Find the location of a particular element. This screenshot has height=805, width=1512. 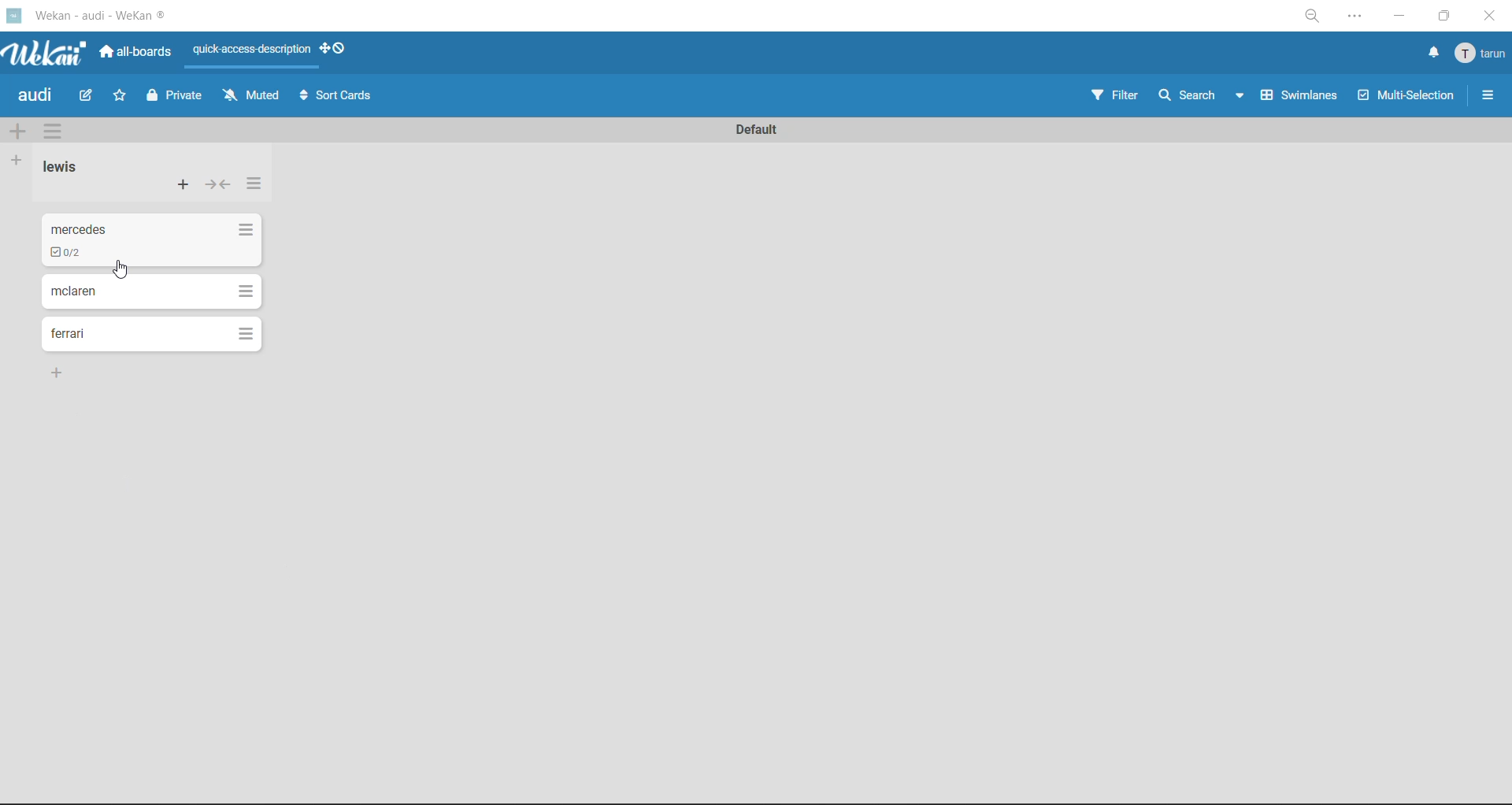

add swimlane is located at coordinates (22, 131).